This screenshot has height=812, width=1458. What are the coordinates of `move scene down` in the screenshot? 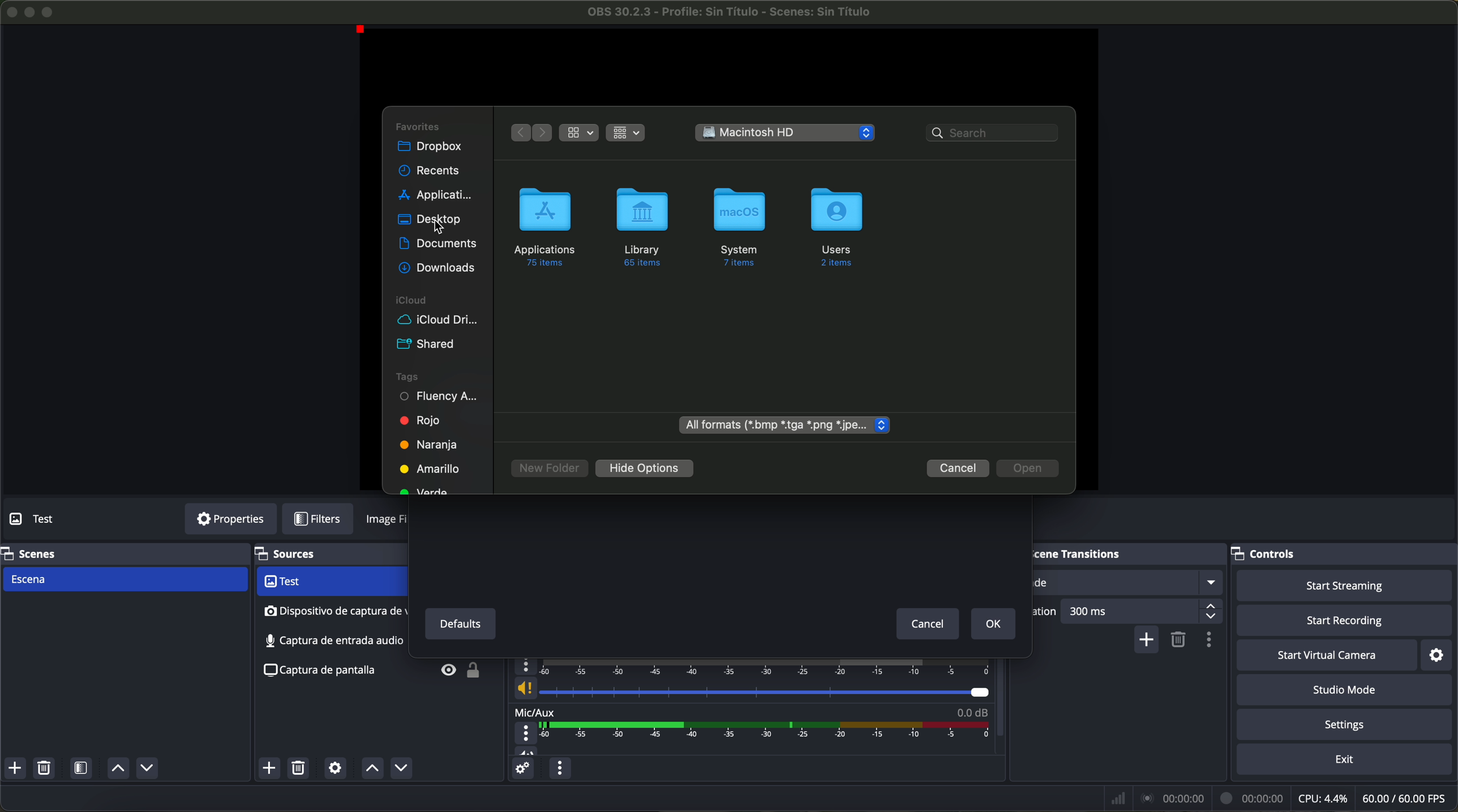 It's located at (147, 770).